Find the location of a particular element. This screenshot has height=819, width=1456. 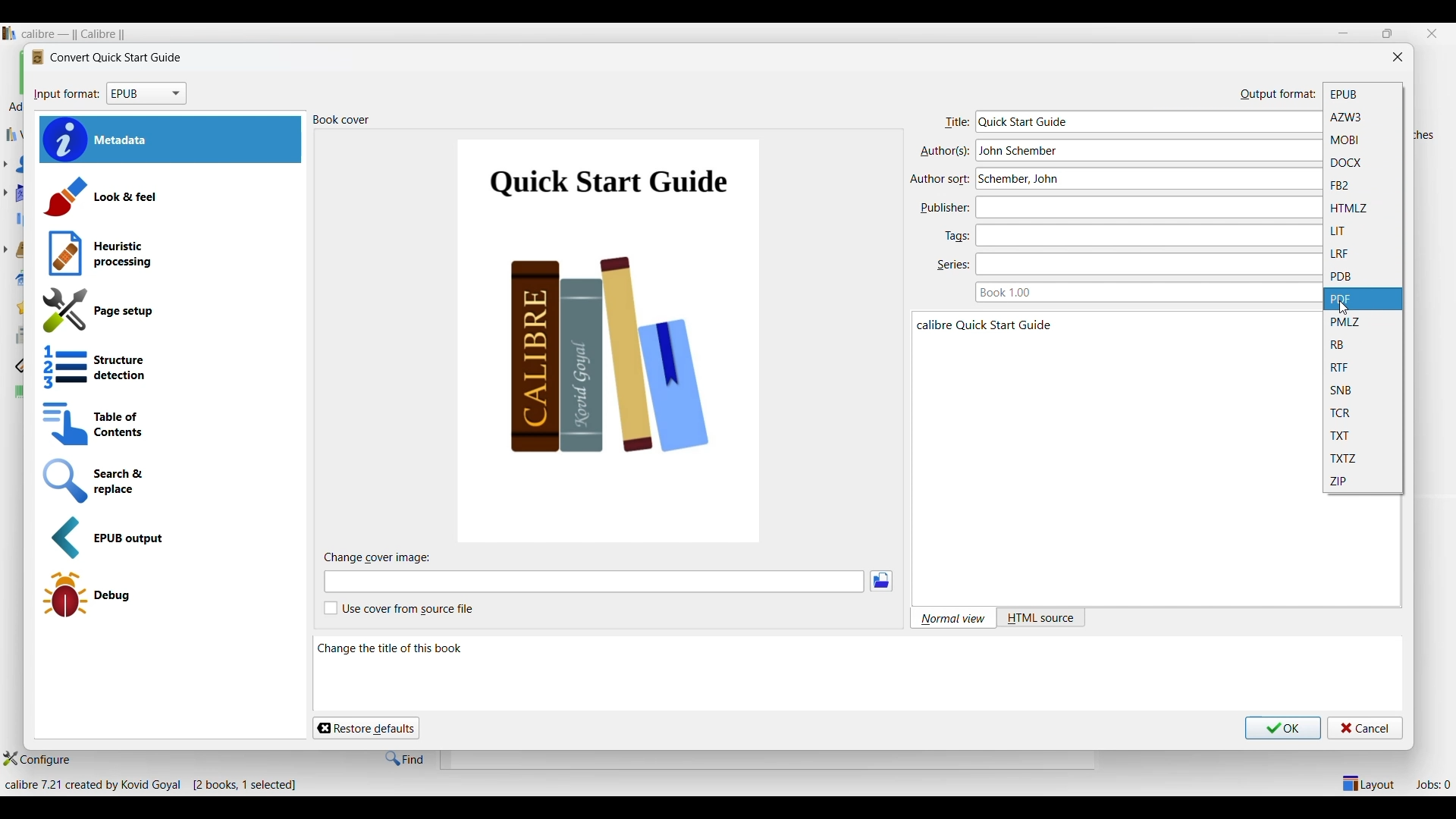

Cover of current book is located at coordinates (611, 339).